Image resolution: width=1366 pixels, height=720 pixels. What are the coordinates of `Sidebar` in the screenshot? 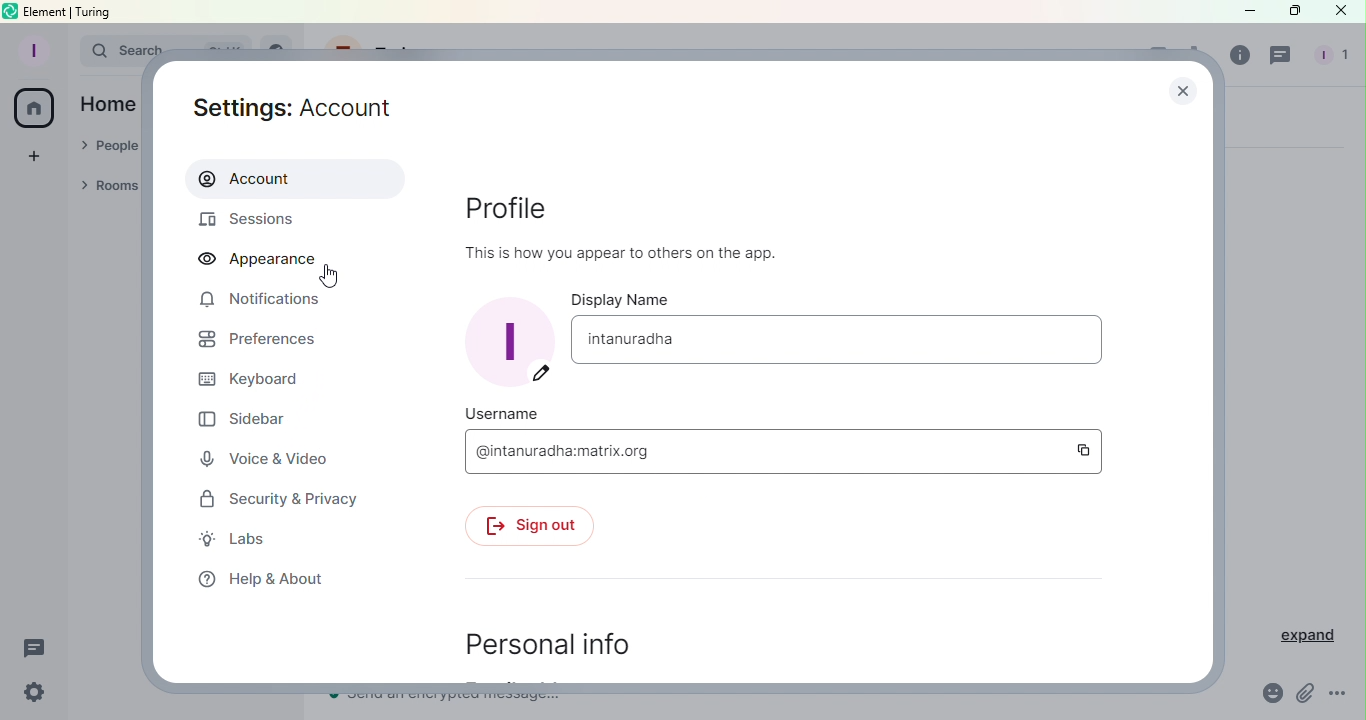 It's located at (242, 418).